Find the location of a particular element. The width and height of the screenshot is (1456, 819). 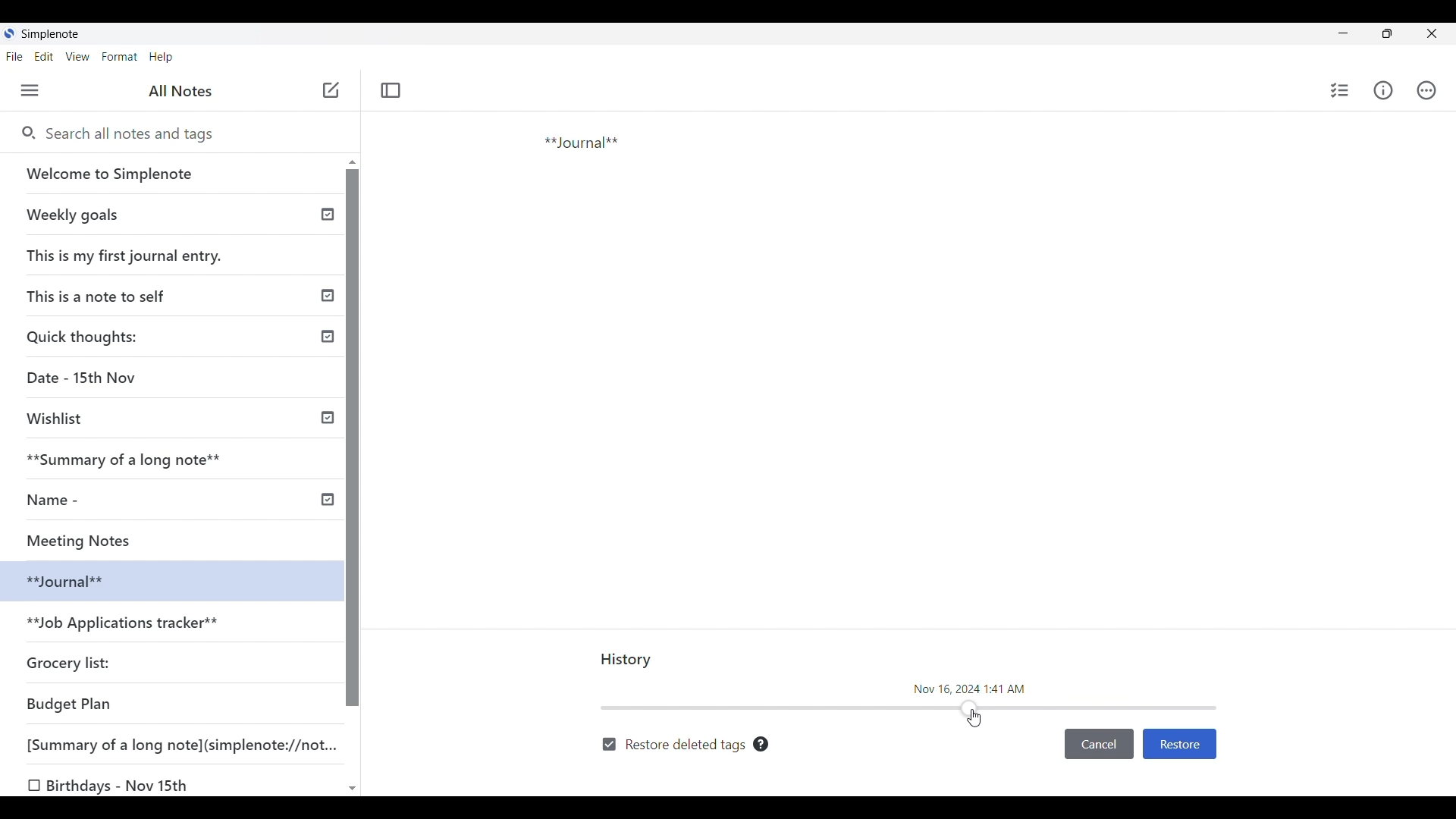

Toggle to restore deleted tags is located at coordinates (673, 745).